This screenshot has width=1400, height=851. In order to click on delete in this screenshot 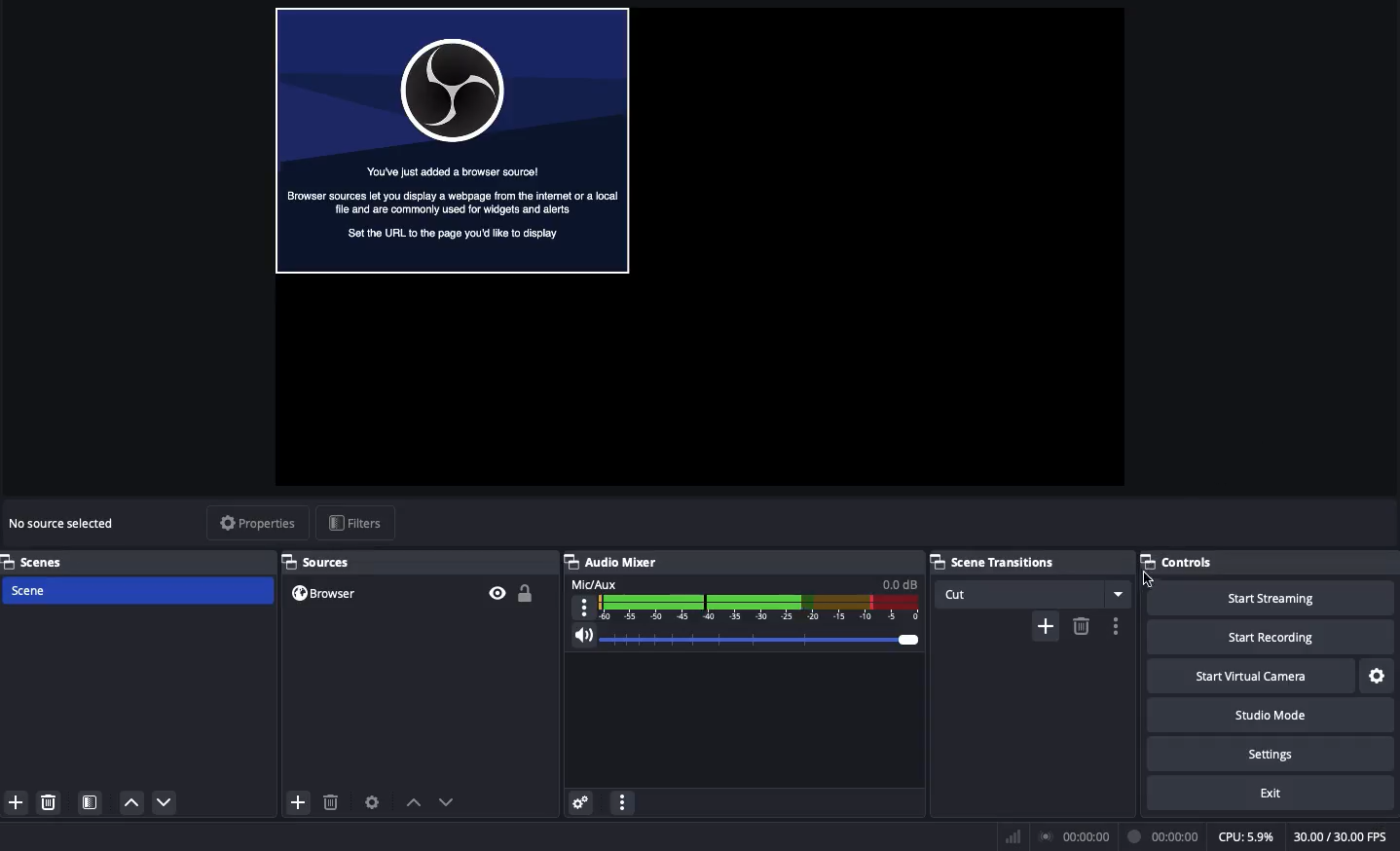, I will do `click(338, 803)`.